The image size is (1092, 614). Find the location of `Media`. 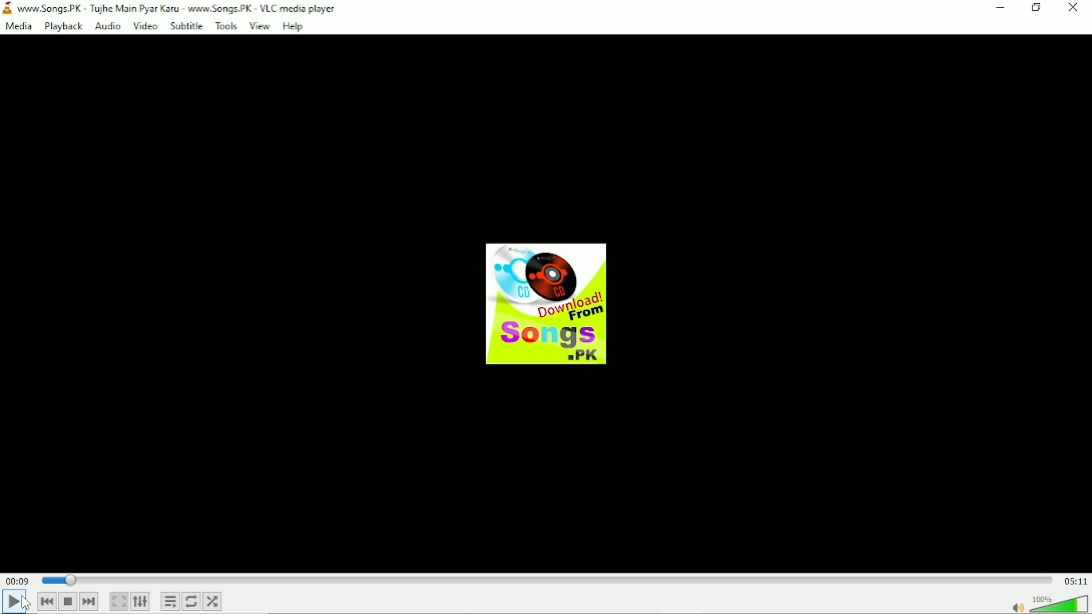

Media is located at coordinates (18, 26).